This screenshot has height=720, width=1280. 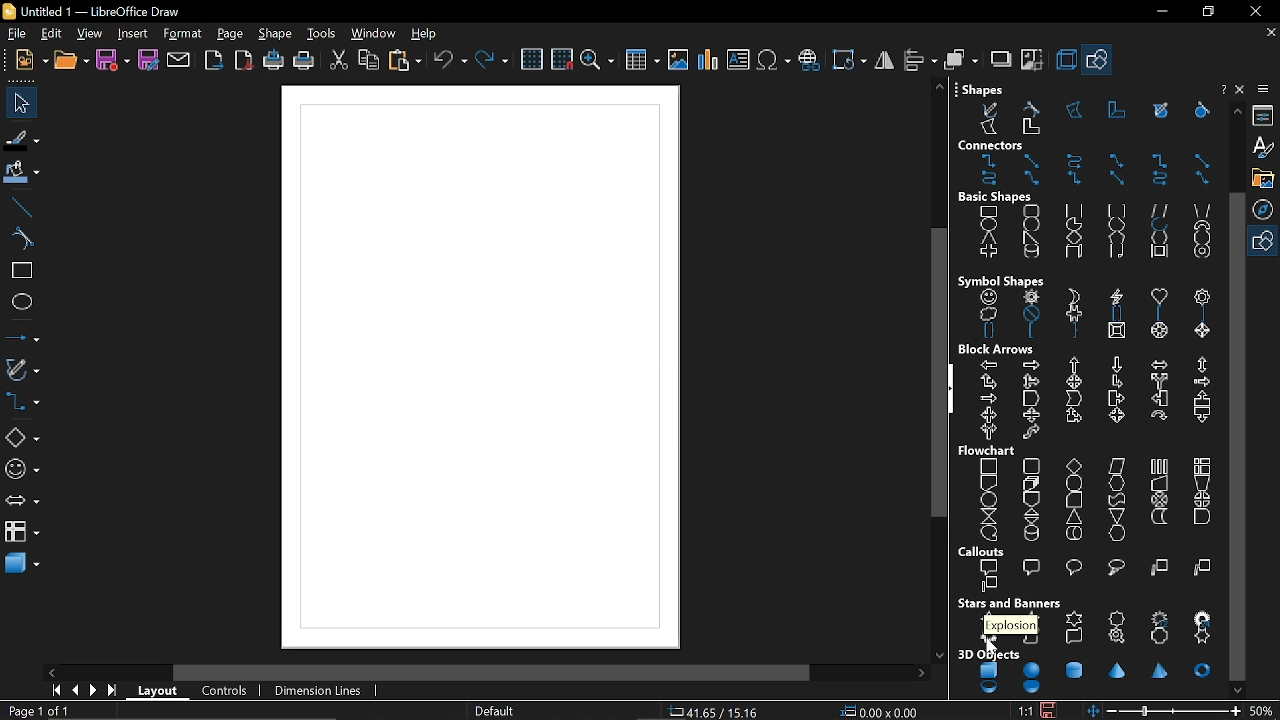 I want to click on new, so click(x=31, y=61).